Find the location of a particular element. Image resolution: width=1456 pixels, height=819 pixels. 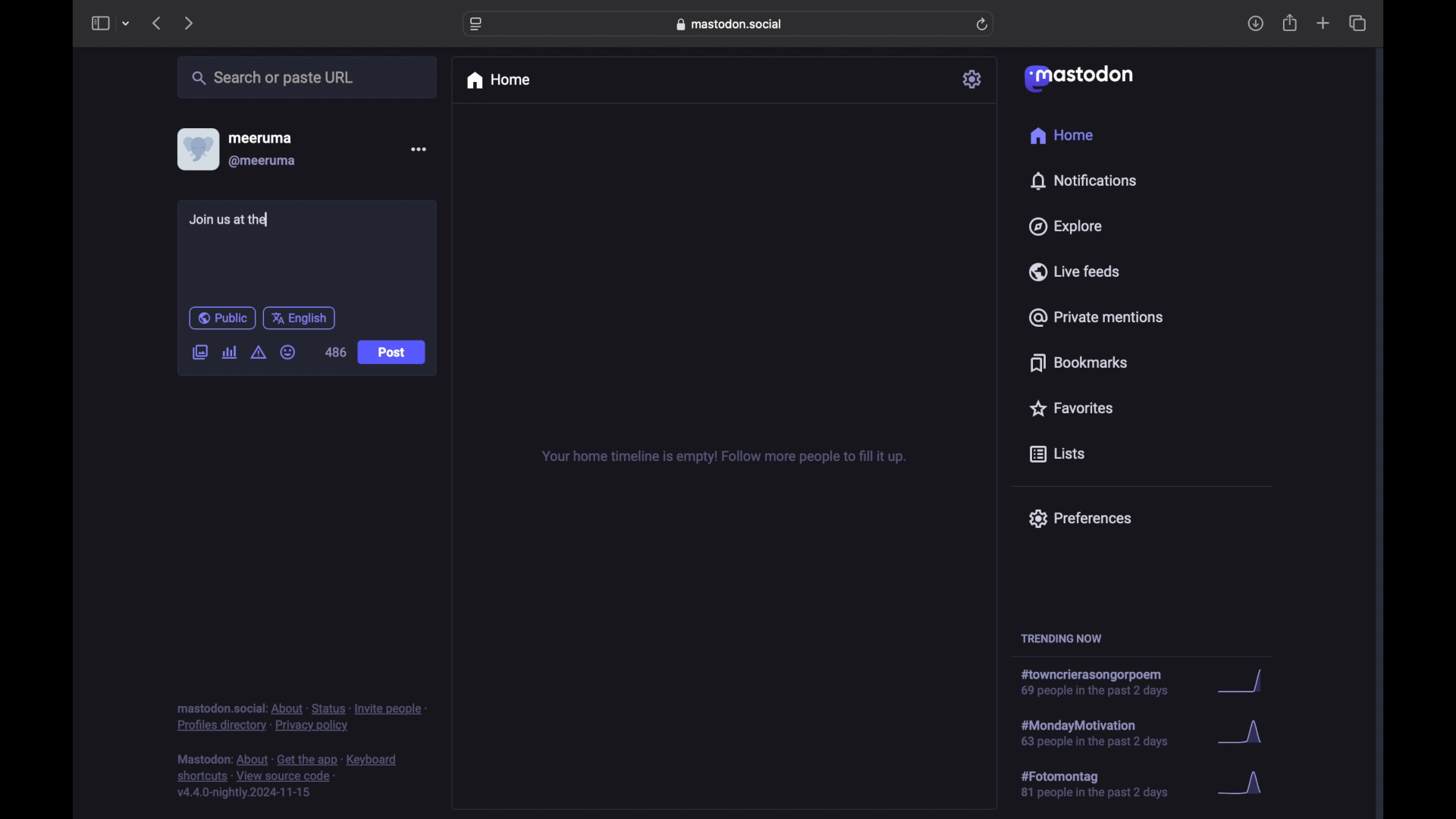

graph is located at coordinates (1245, 784).